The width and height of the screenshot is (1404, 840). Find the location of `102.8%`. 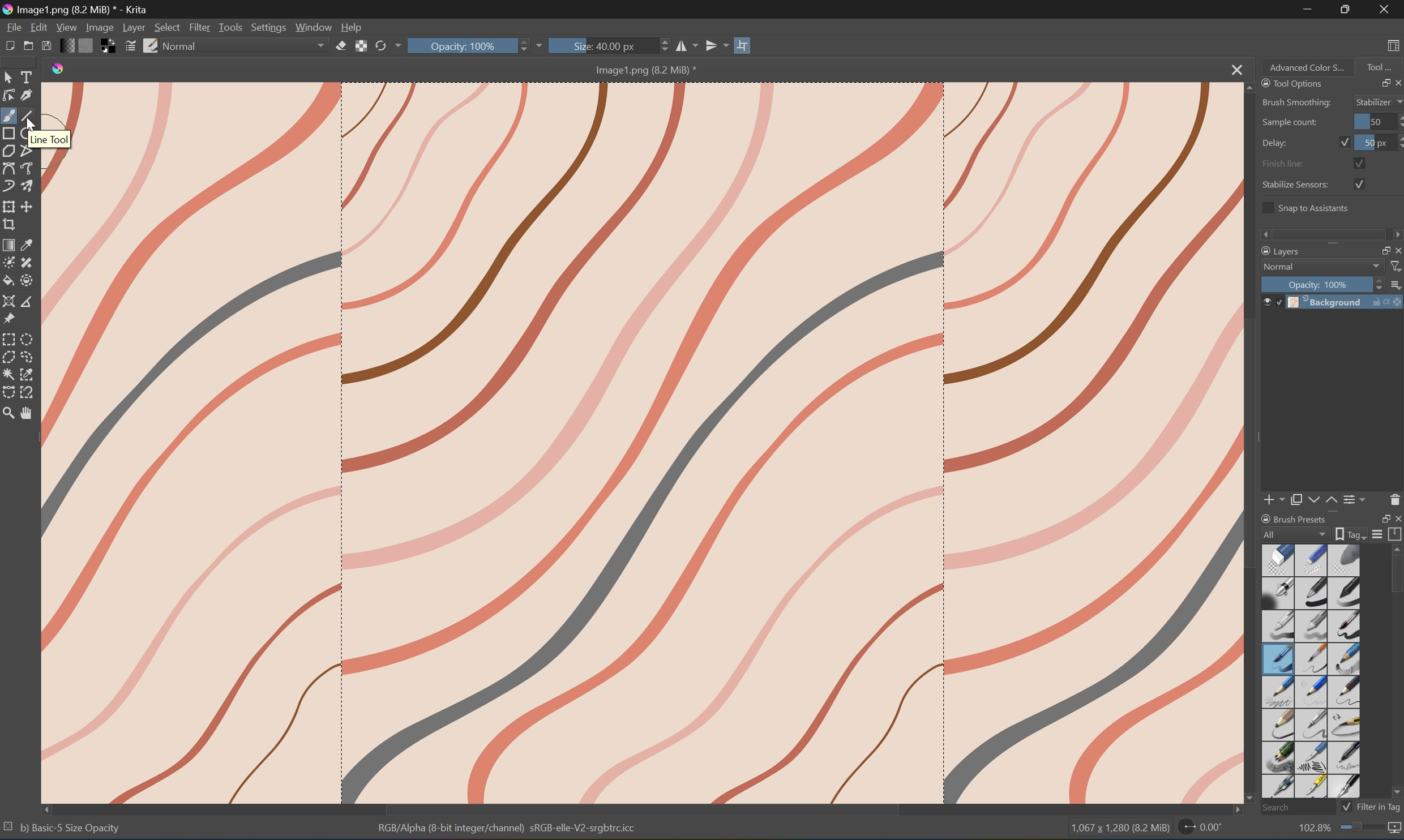

102.8% is located at coordinates (1313, 829).